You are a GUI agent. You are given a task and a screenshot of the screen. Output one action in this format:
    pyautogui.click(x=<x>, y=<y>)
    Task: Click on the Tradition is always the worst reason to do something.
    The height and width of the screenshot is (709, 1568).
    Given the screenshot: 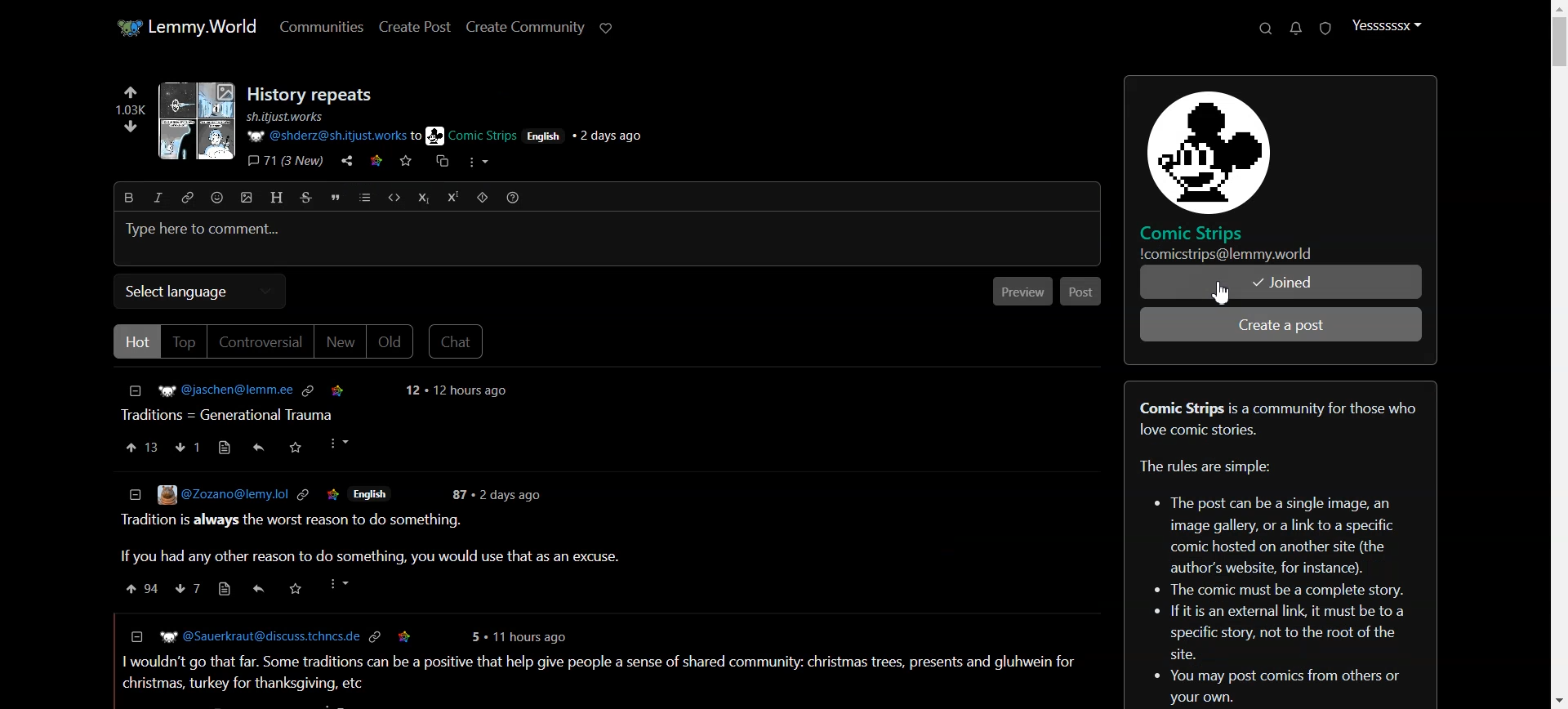 What is the action you would take?
    pyautogui.click(x=293, y=522)
    